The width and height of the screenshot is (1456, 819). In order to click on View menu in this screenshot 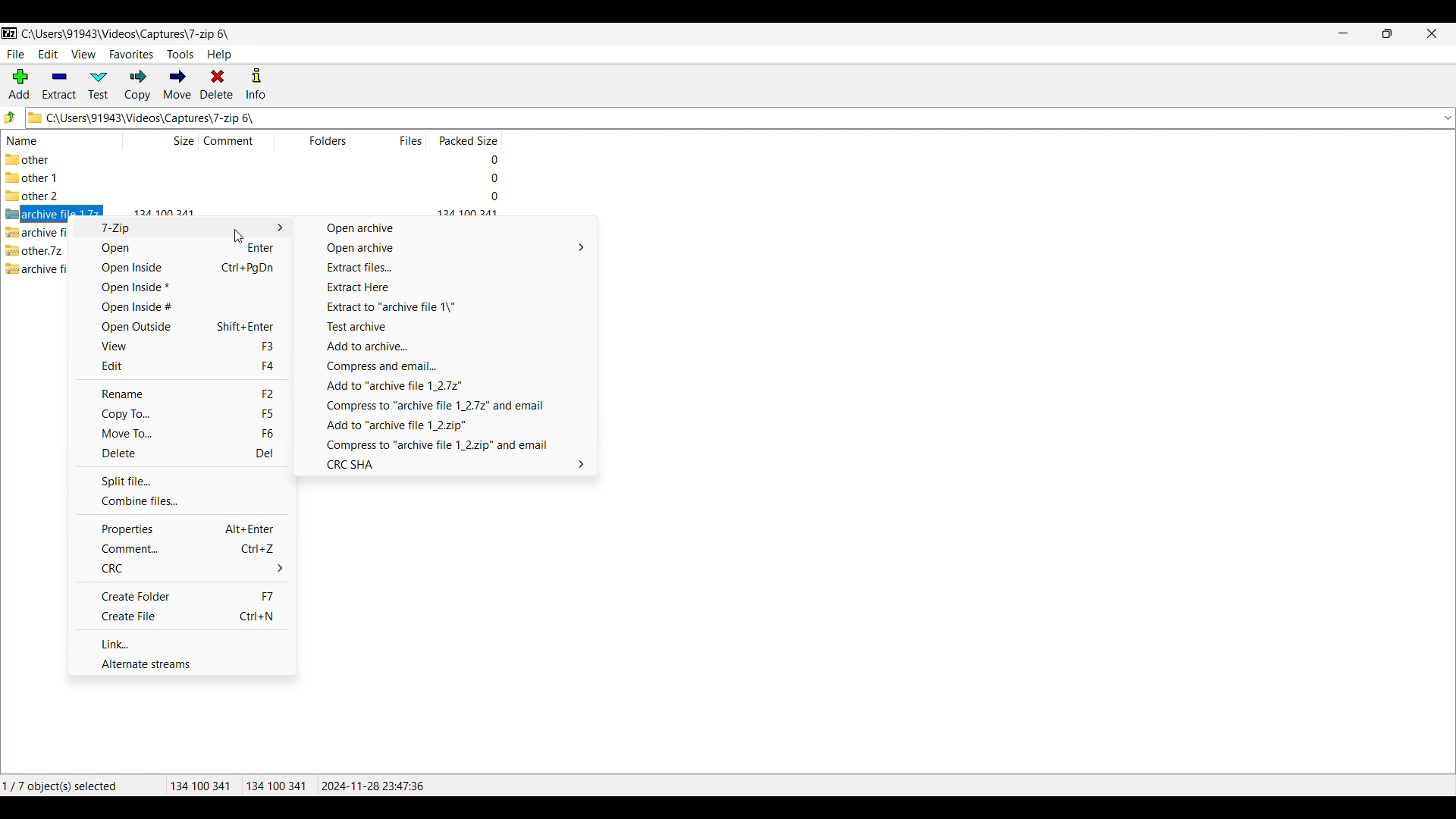, I will do `click(84, 55)`.